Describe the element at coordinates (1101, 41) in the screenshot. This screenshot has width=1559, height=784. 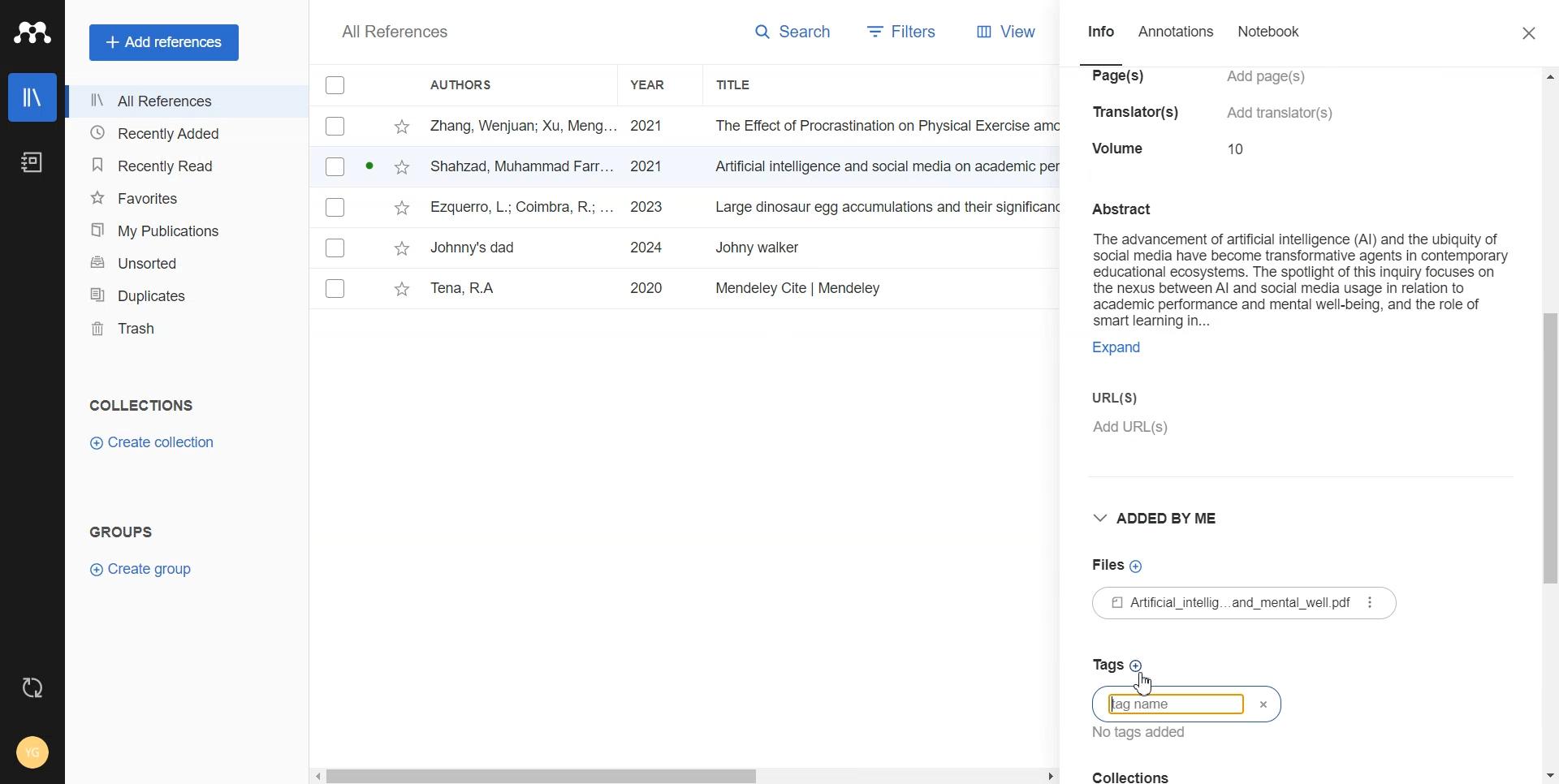
I see `Info` at that location.